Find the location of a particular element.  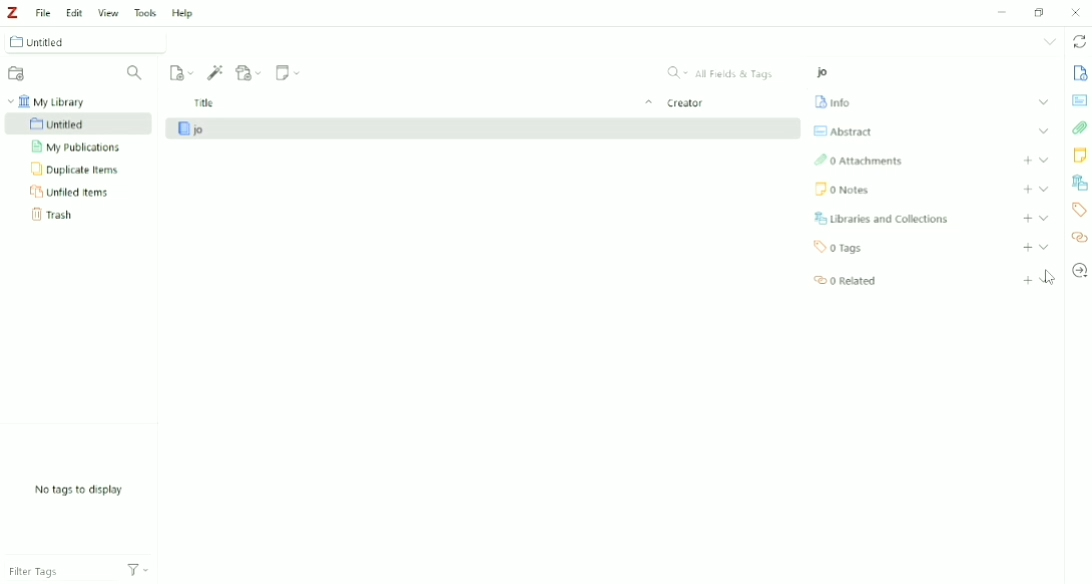

Actions is located at coordinates (137, 572).